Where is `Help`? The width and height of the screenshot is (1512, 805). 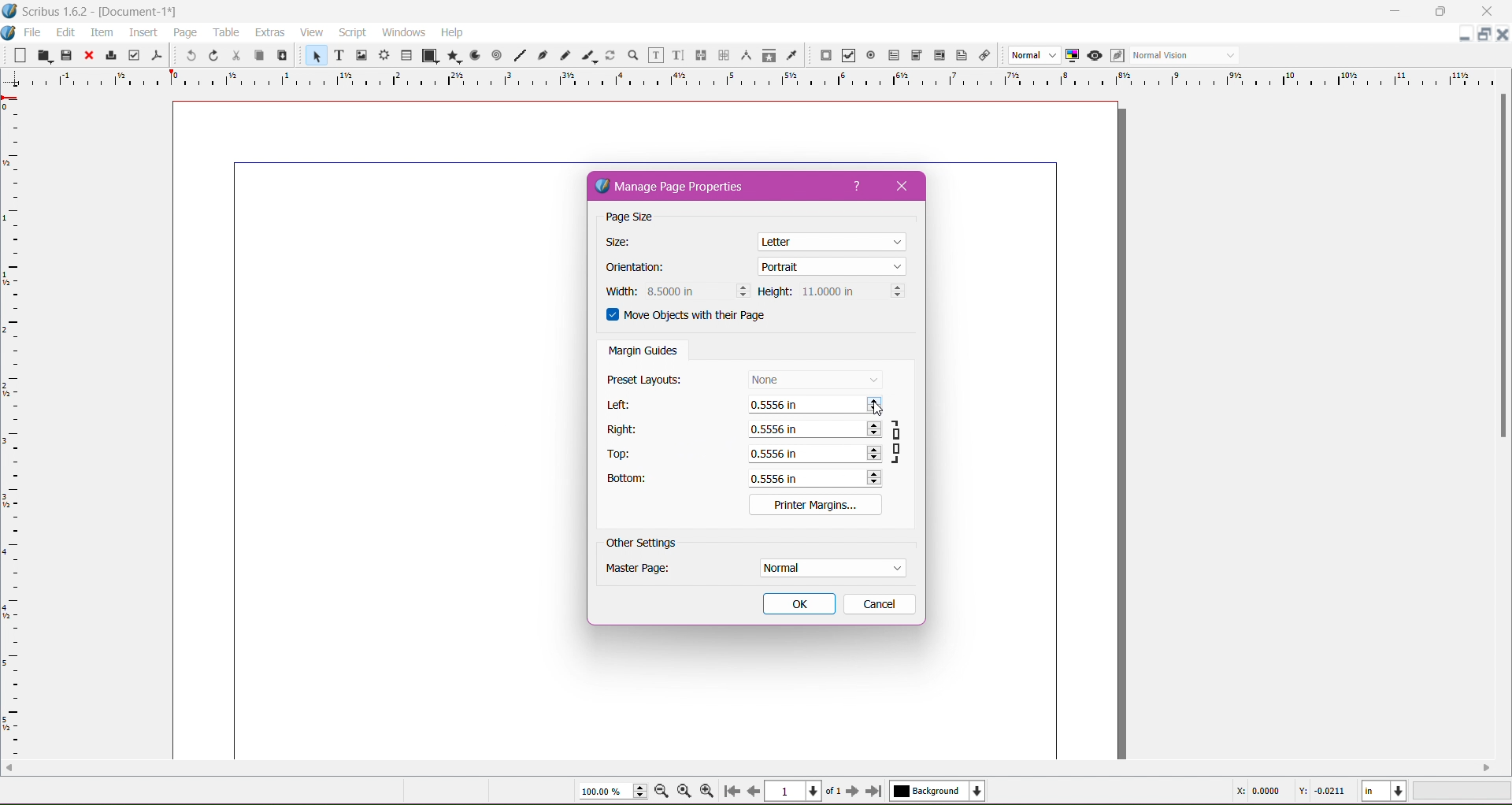 Help is located at coordinates (453, 32).